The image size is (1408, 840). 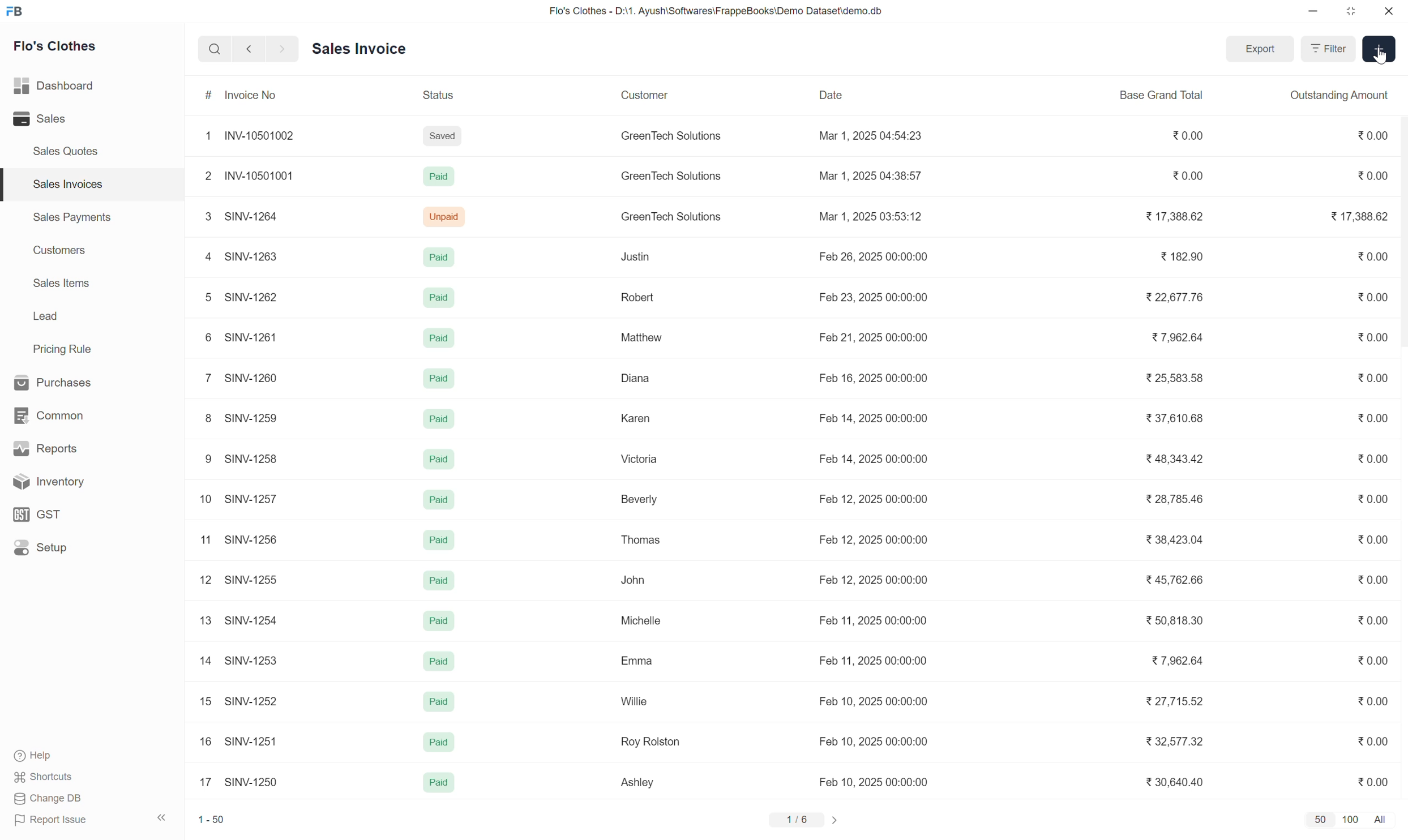 I want to click on ₹0.00, so click(x=1370, y=462).